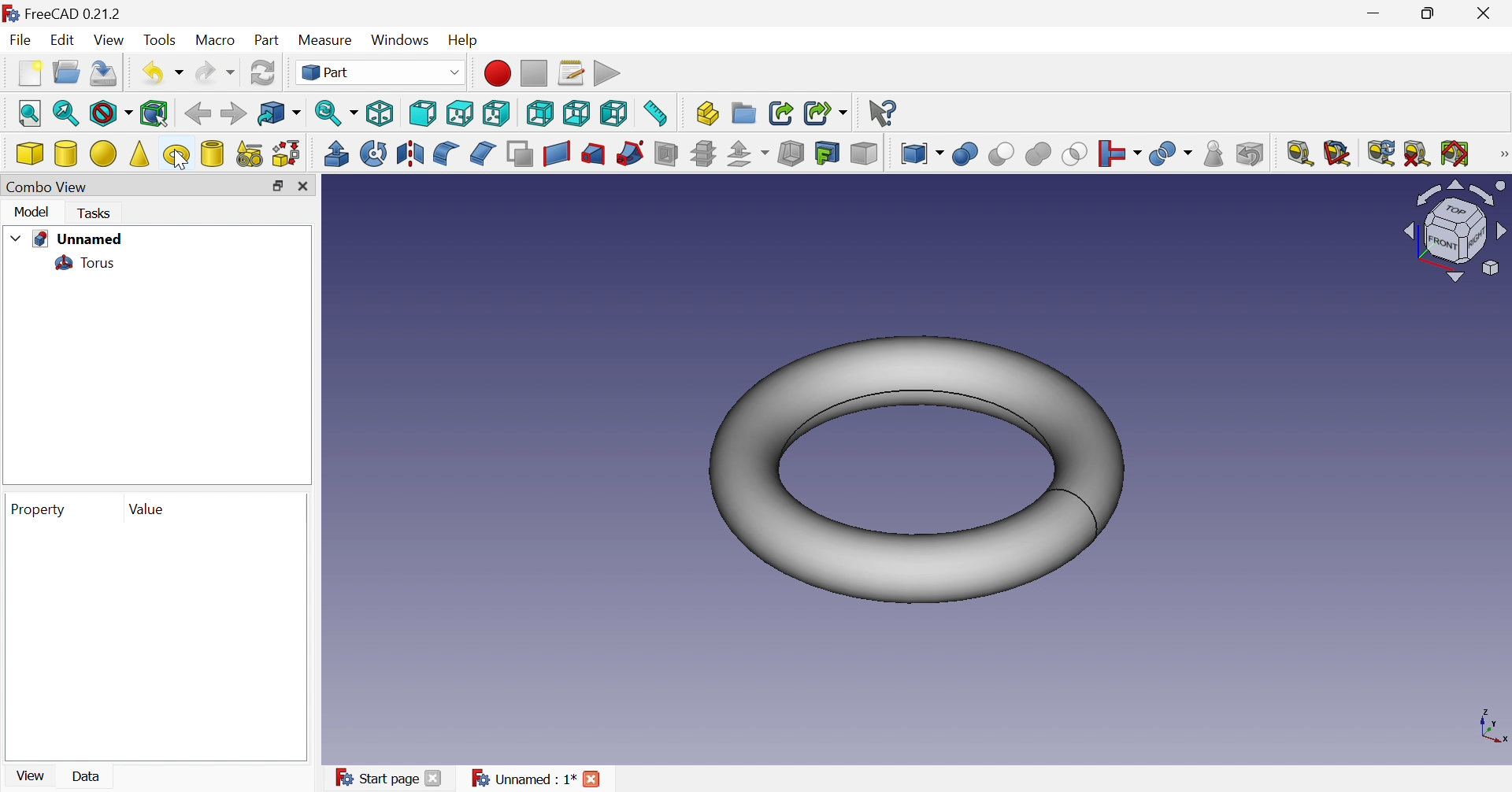  Describe the element at coordinates (917, 472) in the screenshot. I see `Torus` at that location.